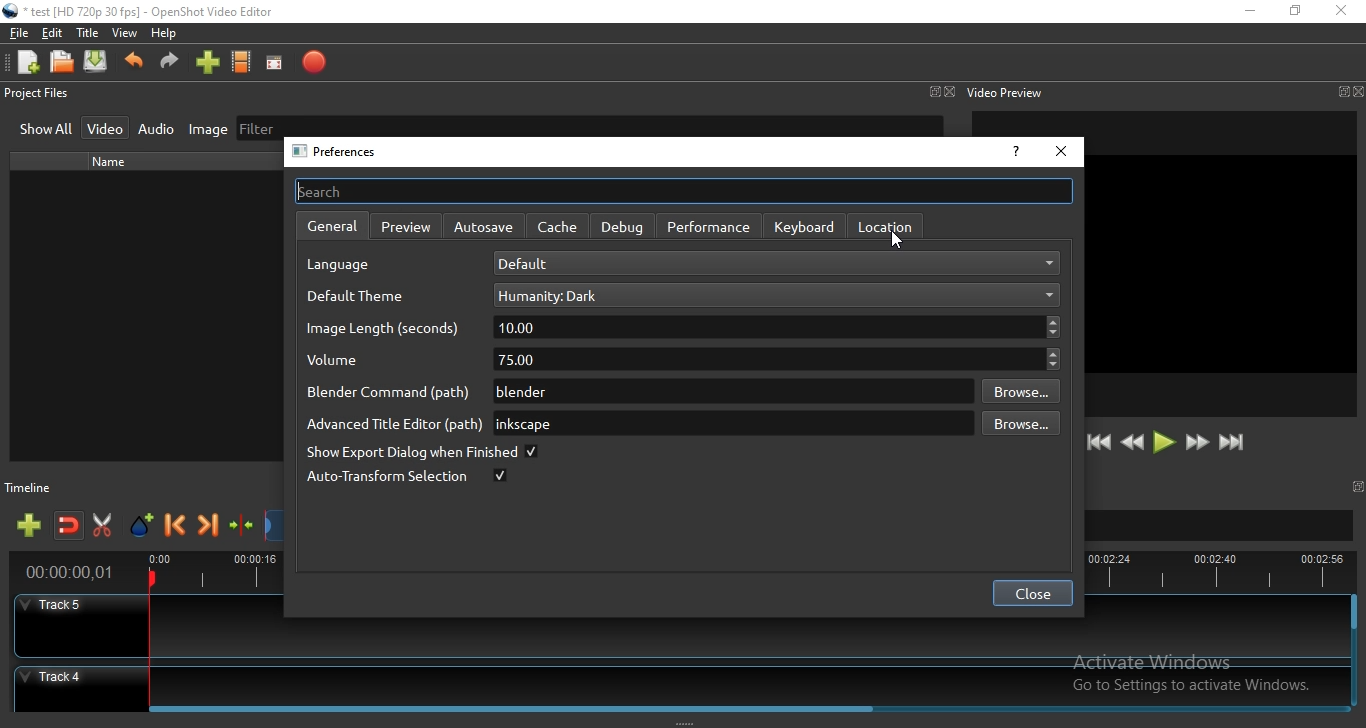 The width and height of the screenshot is (1366, 728). What do you see at coordinates (1019, 392) in the screenshot?
I see `browse` at bounding box center [1019, 392].